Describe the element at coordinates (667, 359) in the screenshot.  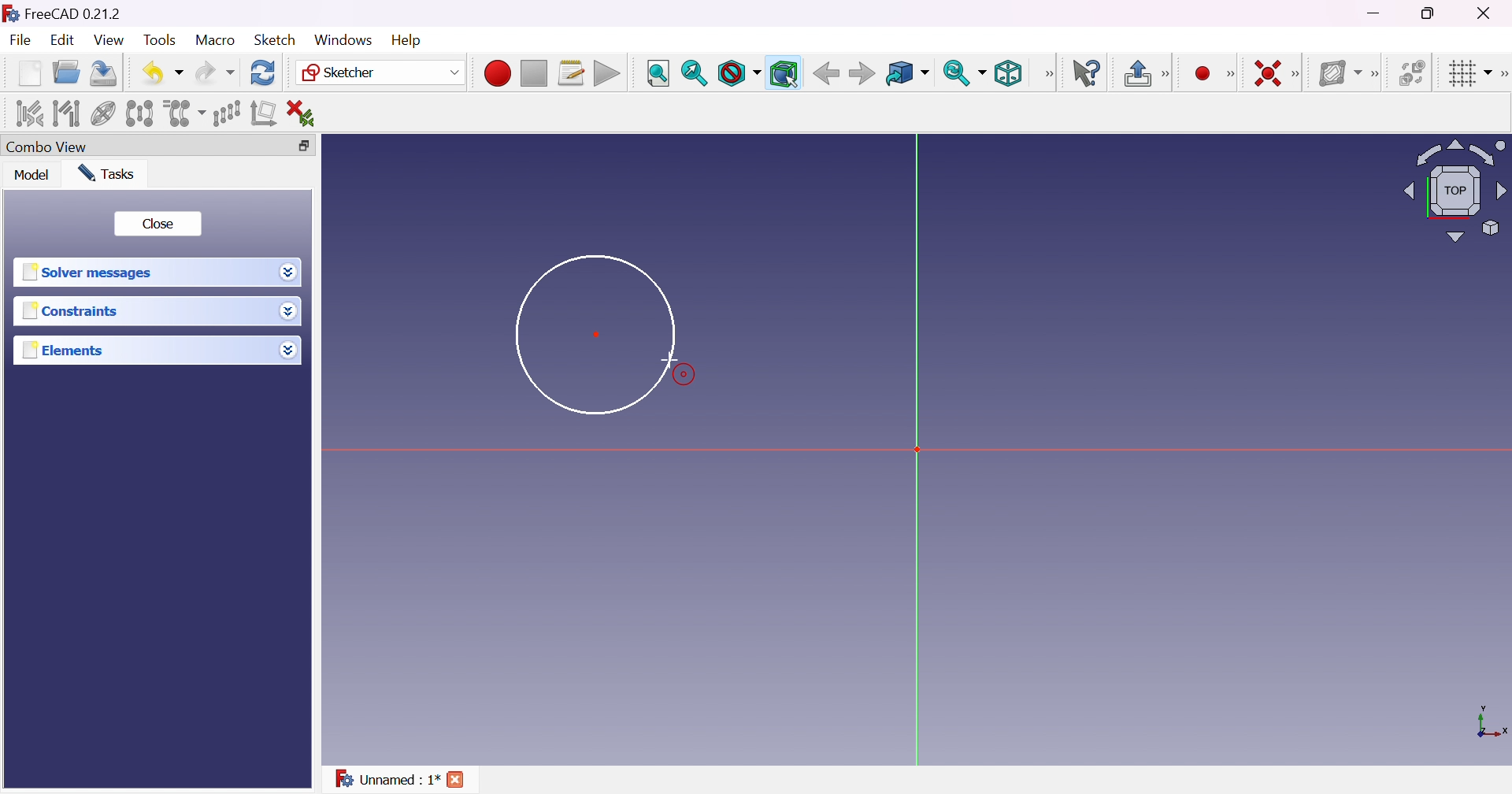
I see `Cursor` at that location.